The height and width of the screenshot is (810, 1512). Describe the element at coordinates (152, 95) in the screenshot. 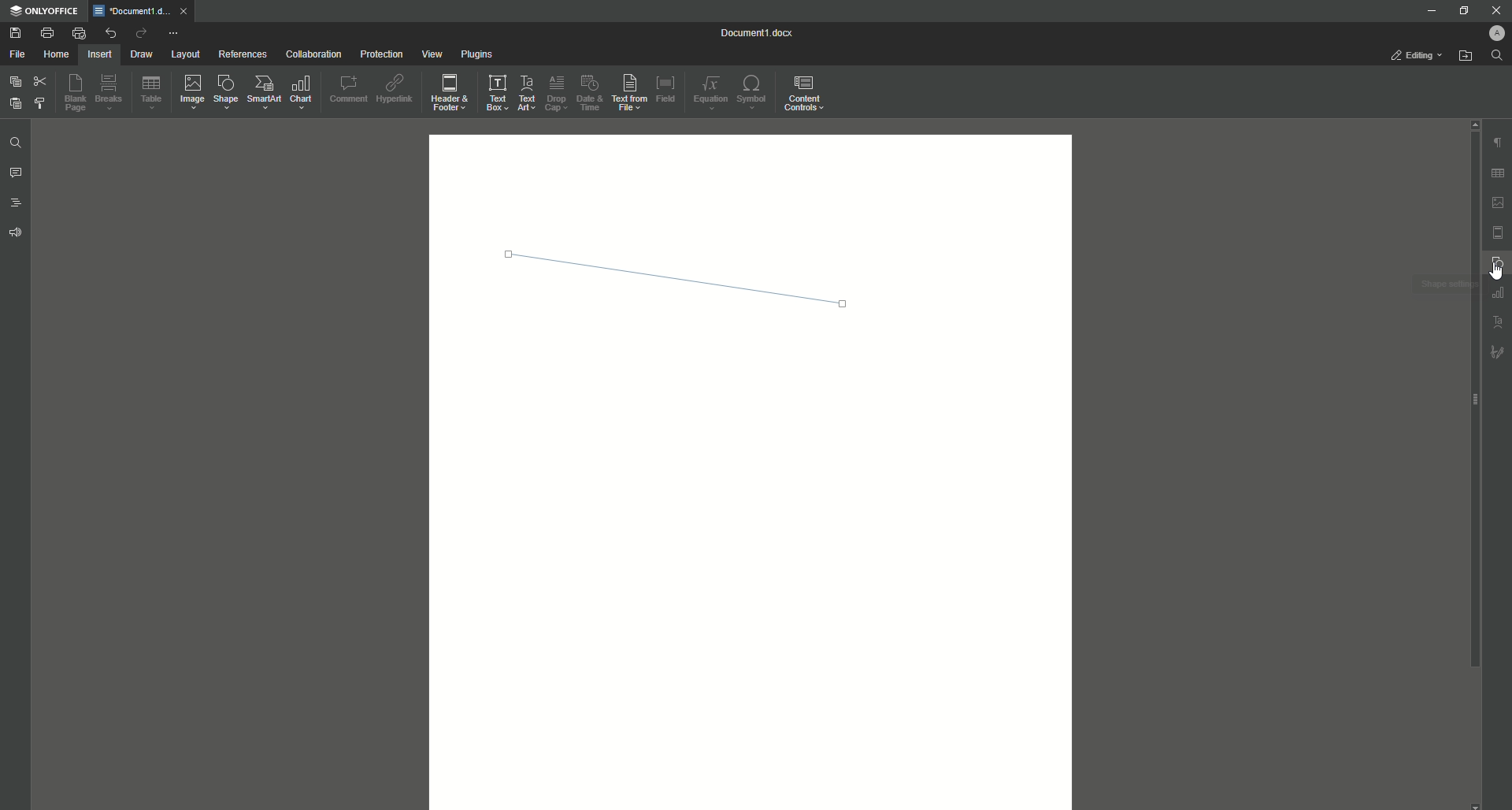

I see `Table` at that location.